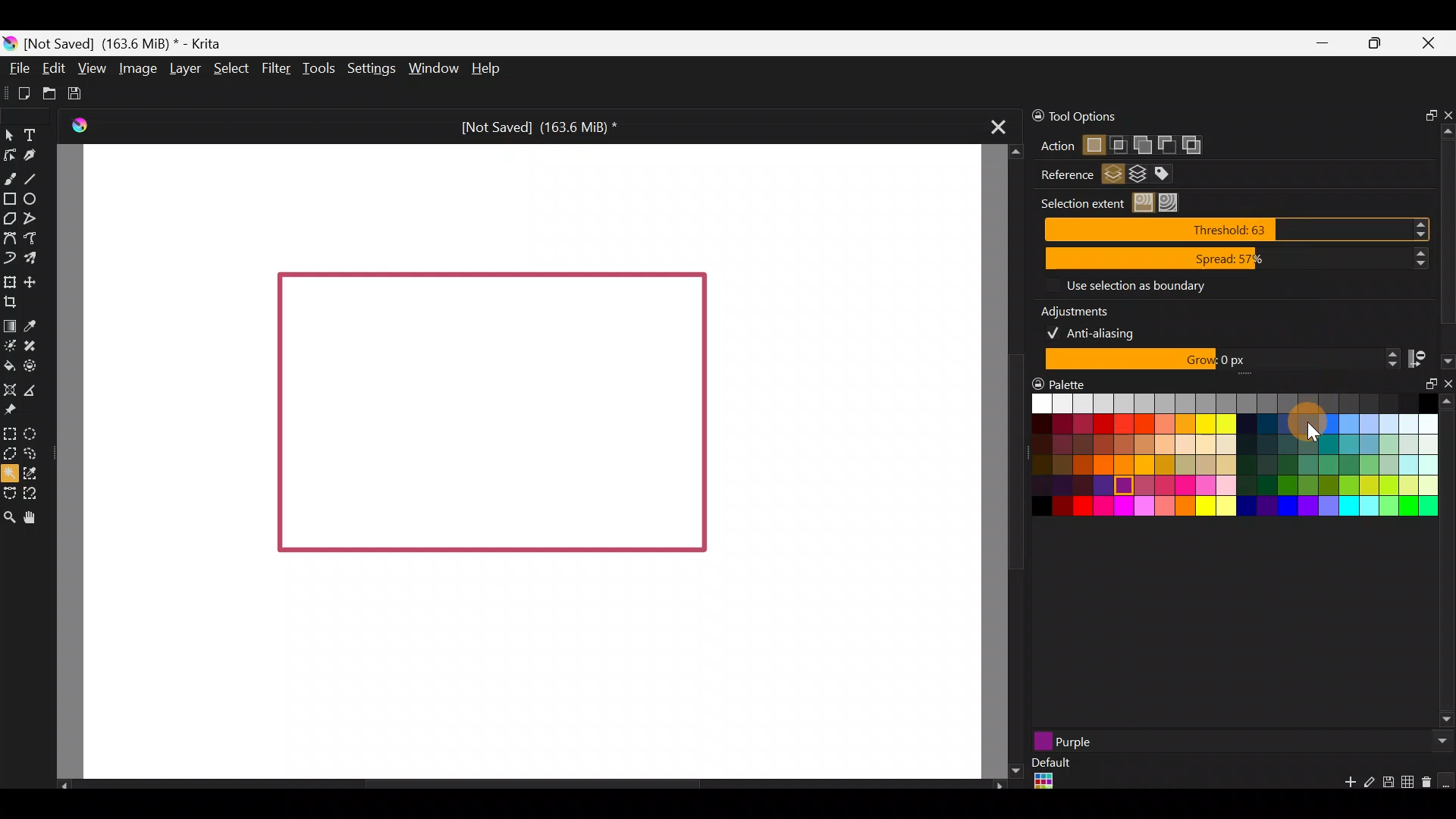  Describe the element at coordinates (35, 516) in the screenshot. I see `Pan tool` at that location.